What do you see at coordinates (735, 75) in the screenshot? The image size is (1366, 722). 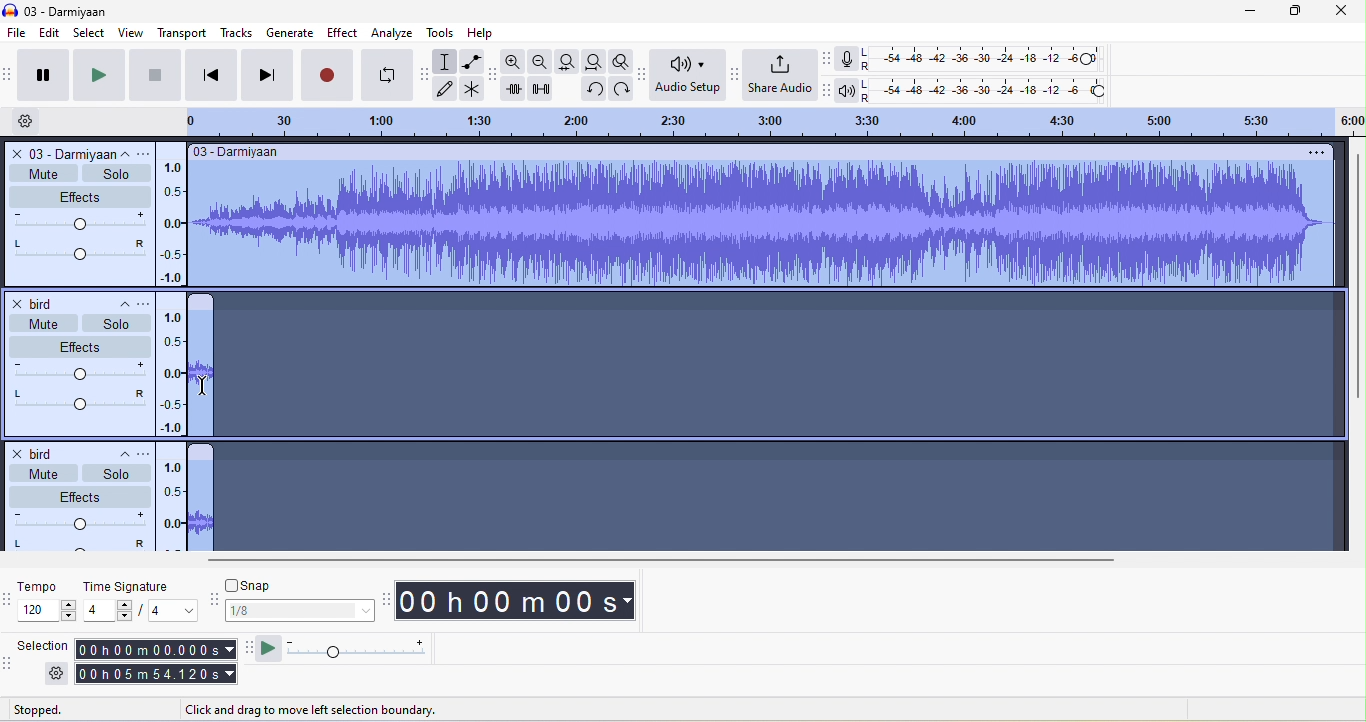 I see `audacity share audio` at bounding box center [735, 75].